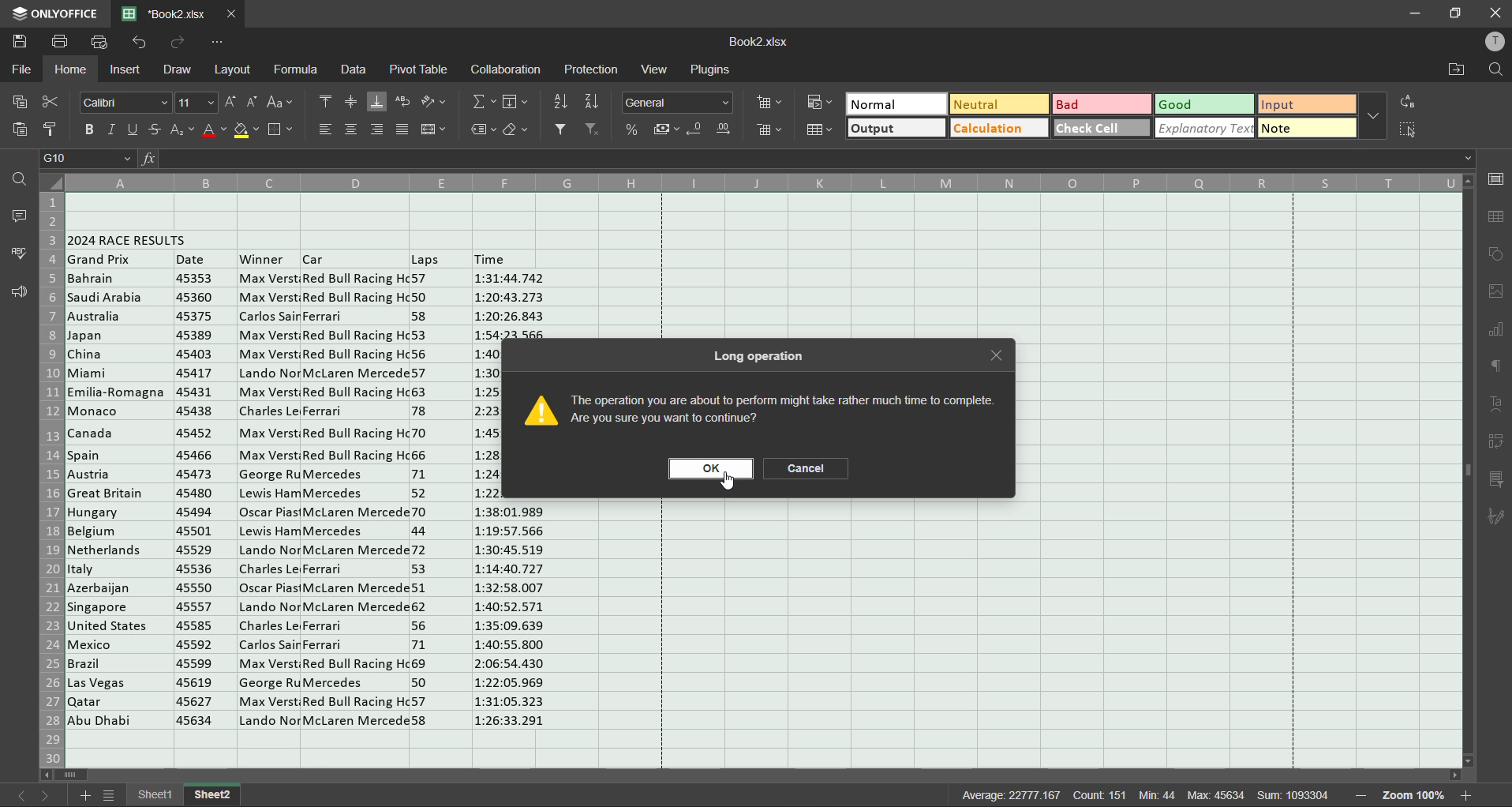 This screenshot has height=807, width=1512. Describe the element at coordinates (264, 259) in the screenshot. I see `winner` at that location.